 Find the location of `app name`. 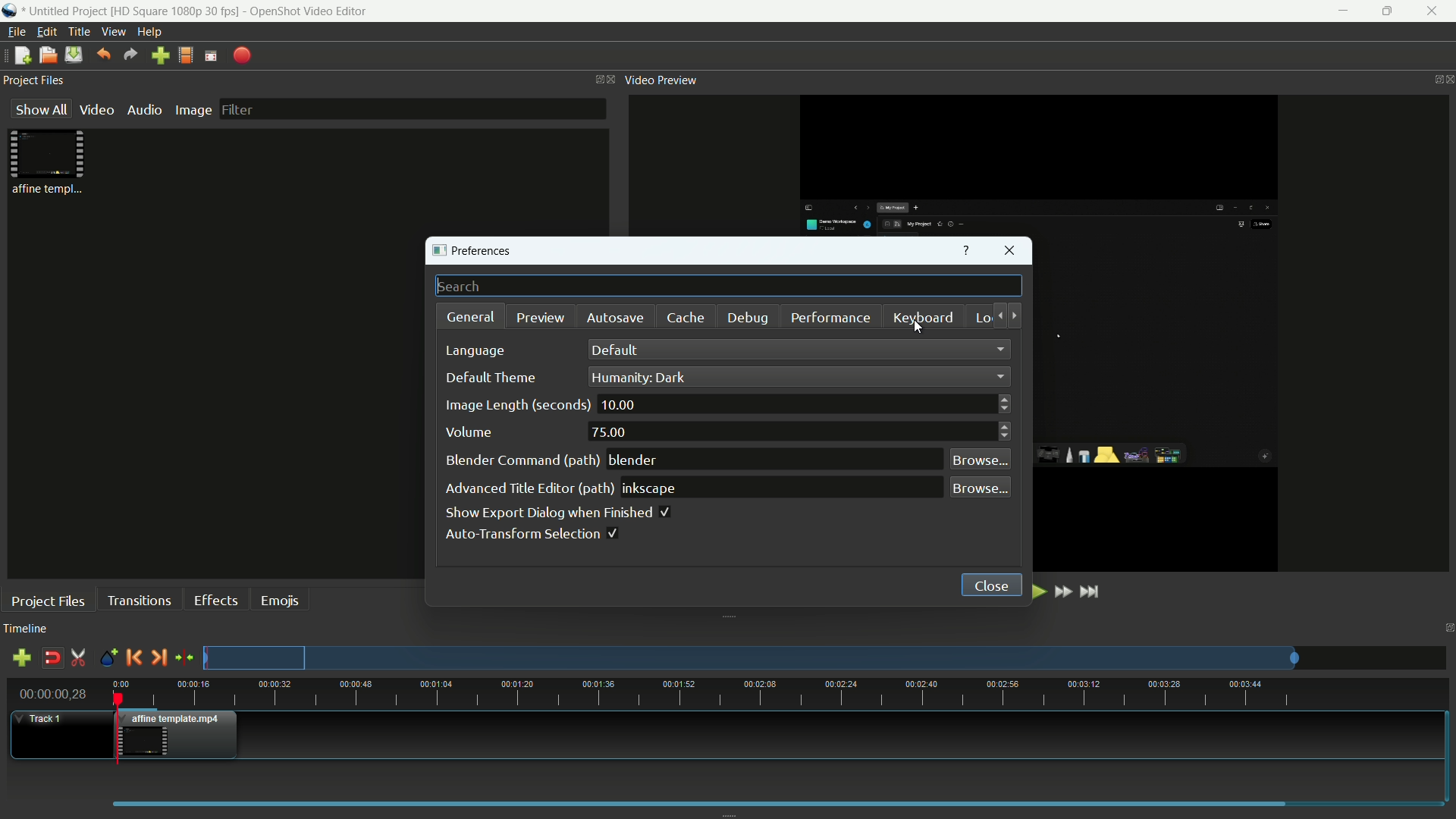

app name is located at coordinates (308, 11).